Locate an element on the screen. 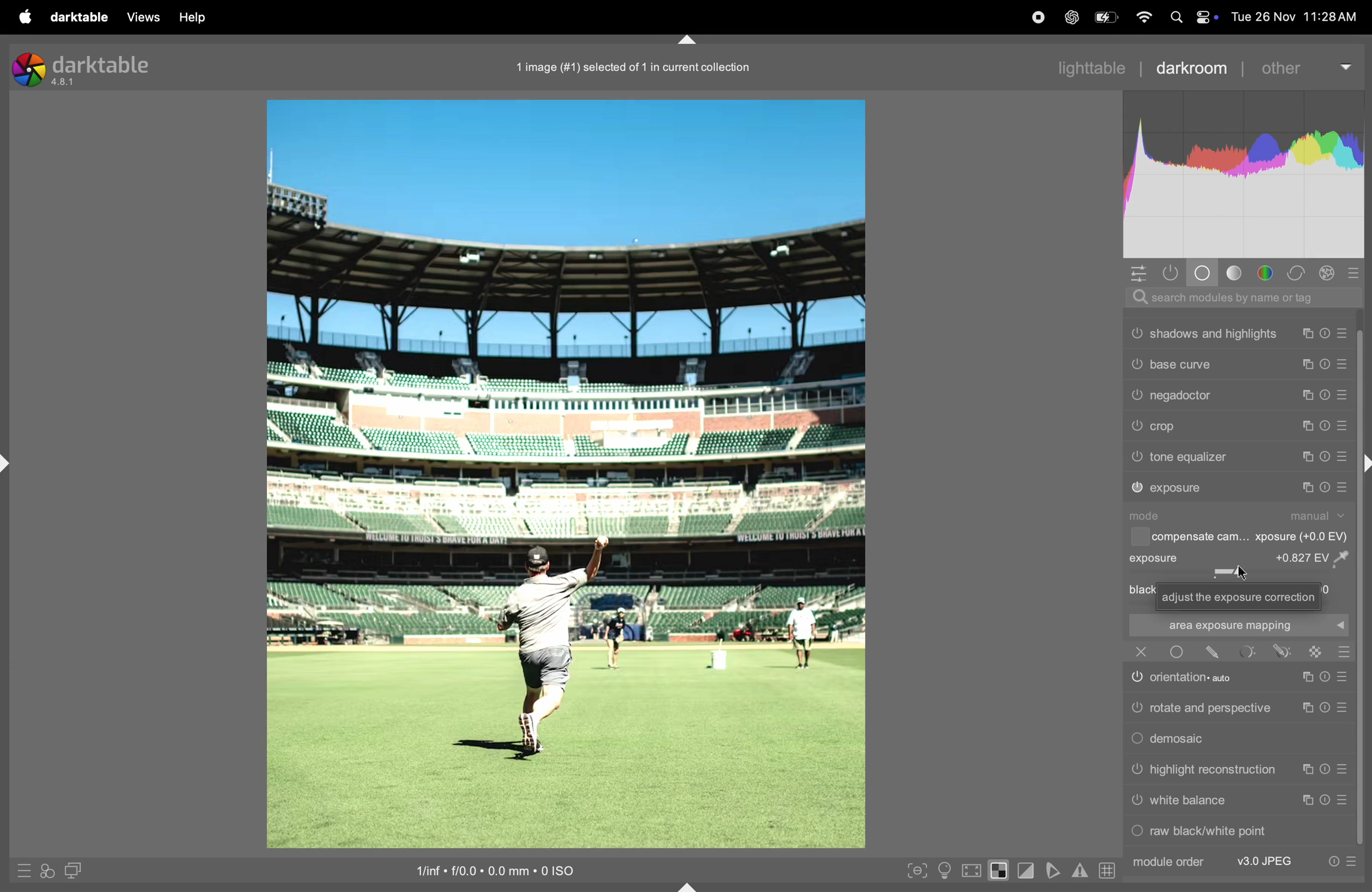  expand or collapse  is located at coordinates (9, 464).